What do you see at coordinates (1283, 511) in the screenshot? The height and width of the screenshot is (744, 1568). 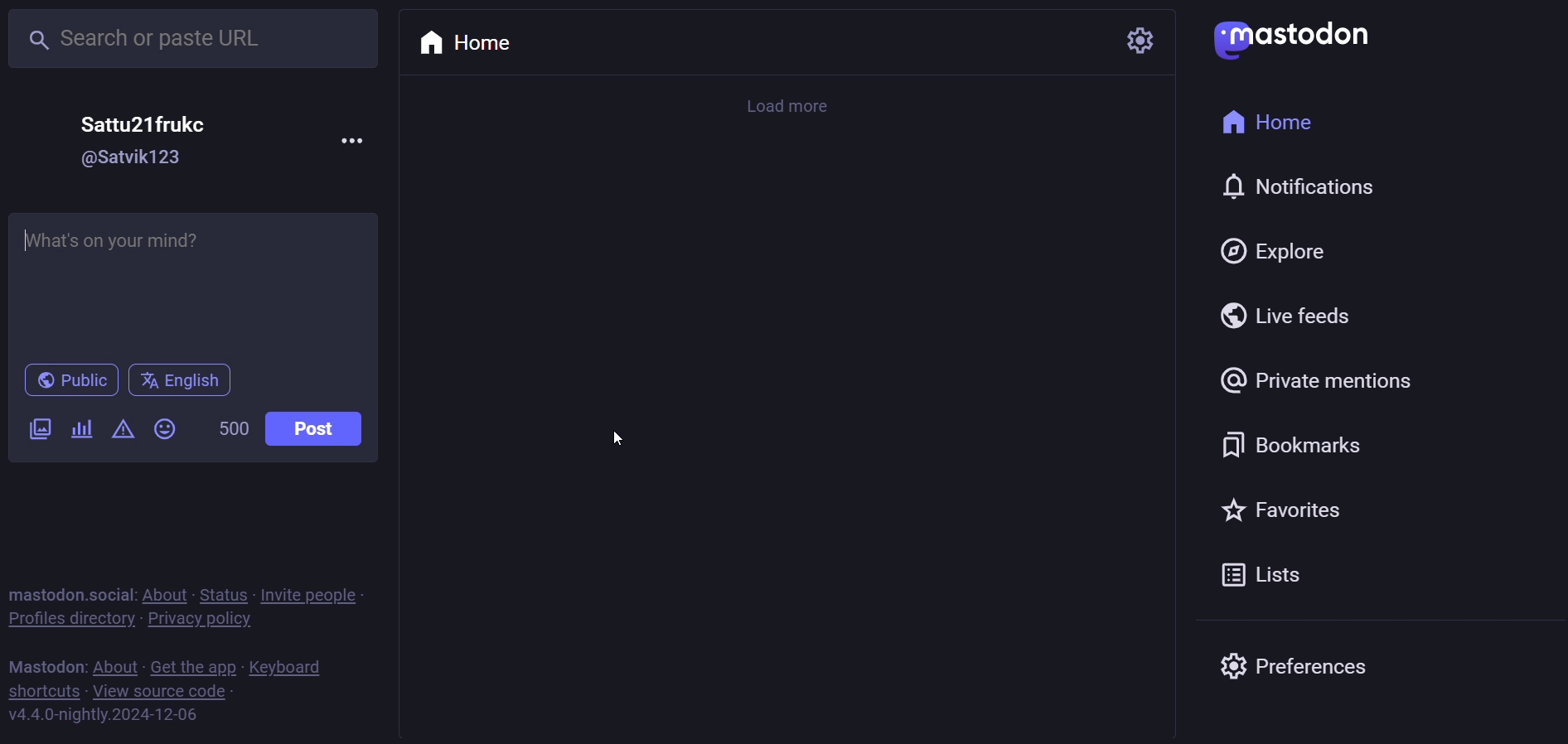 I see `favorite` at bounding box center [1283, 511].